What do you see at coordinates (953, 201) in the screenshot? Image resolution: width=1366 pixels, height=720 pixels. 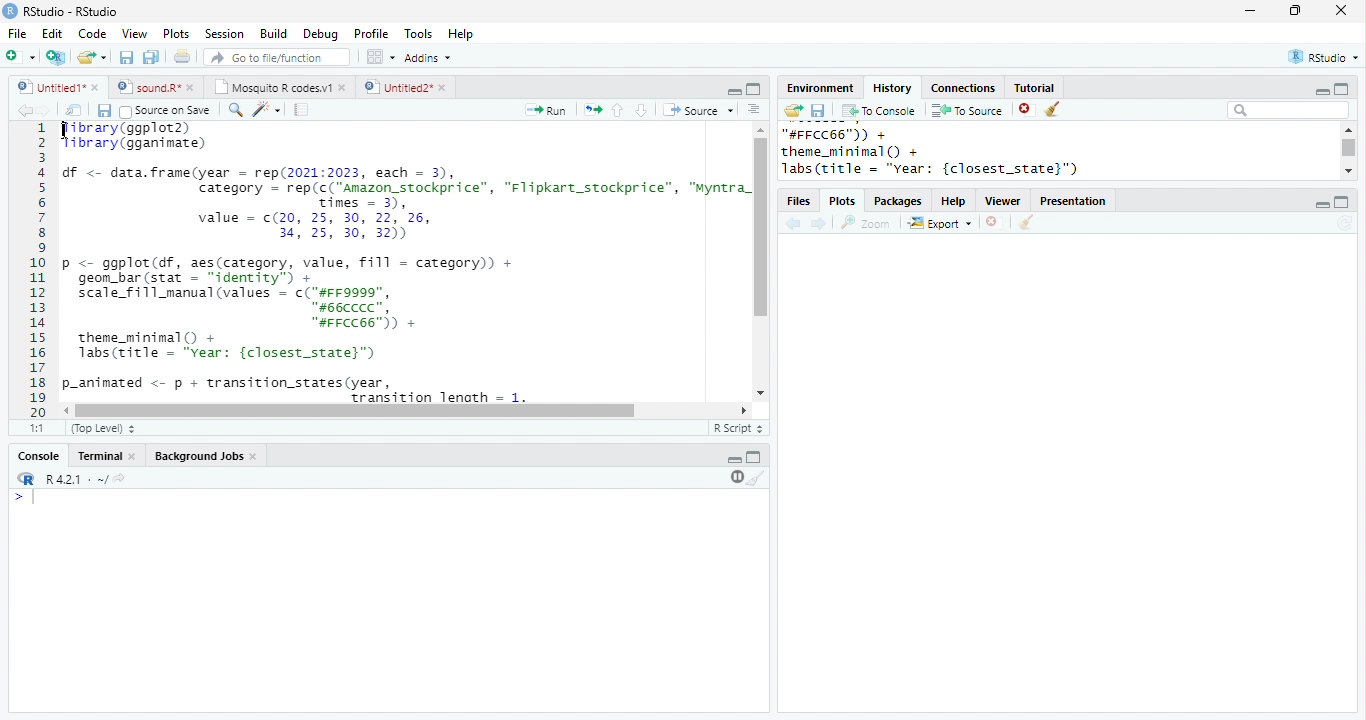 I see `Help` at bounding box center [953, 201].